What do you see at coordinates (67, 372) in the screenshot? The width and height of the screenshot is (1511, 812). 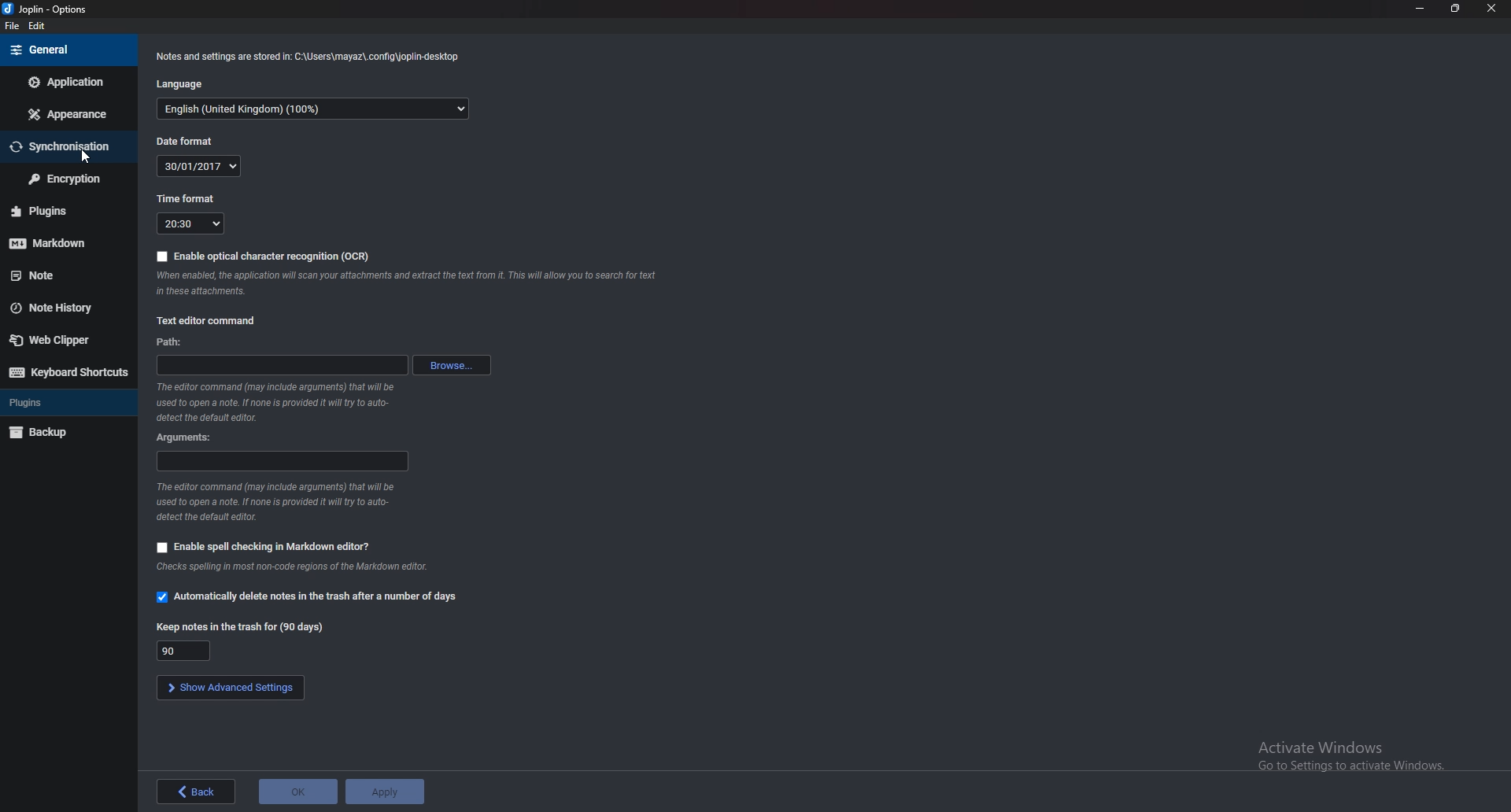 I see `keyboard shortcuts` at bounding box center [67, 372].